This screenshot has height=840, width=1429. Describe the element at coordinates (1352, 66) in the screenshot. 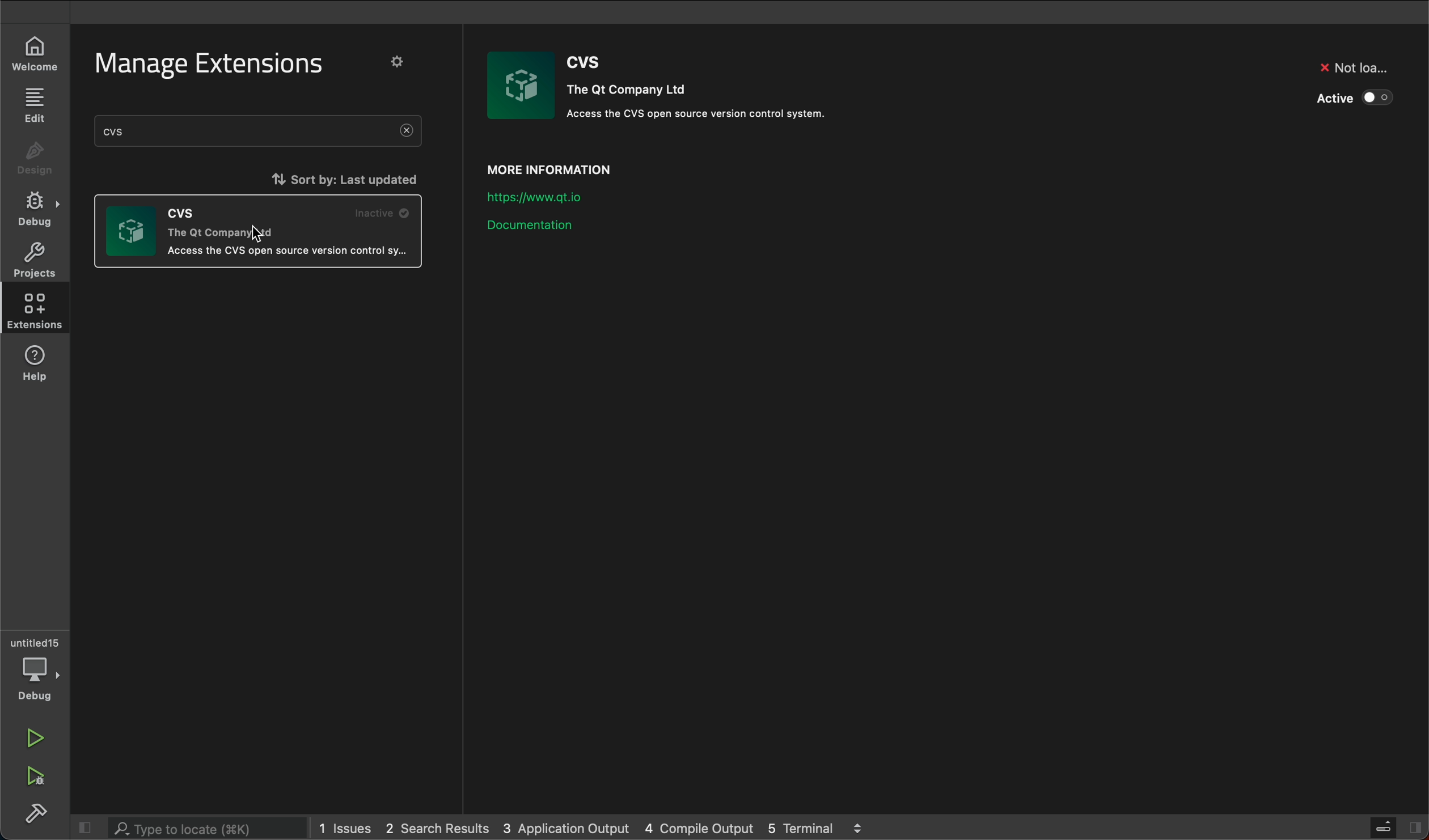

I see `net ` at that location.